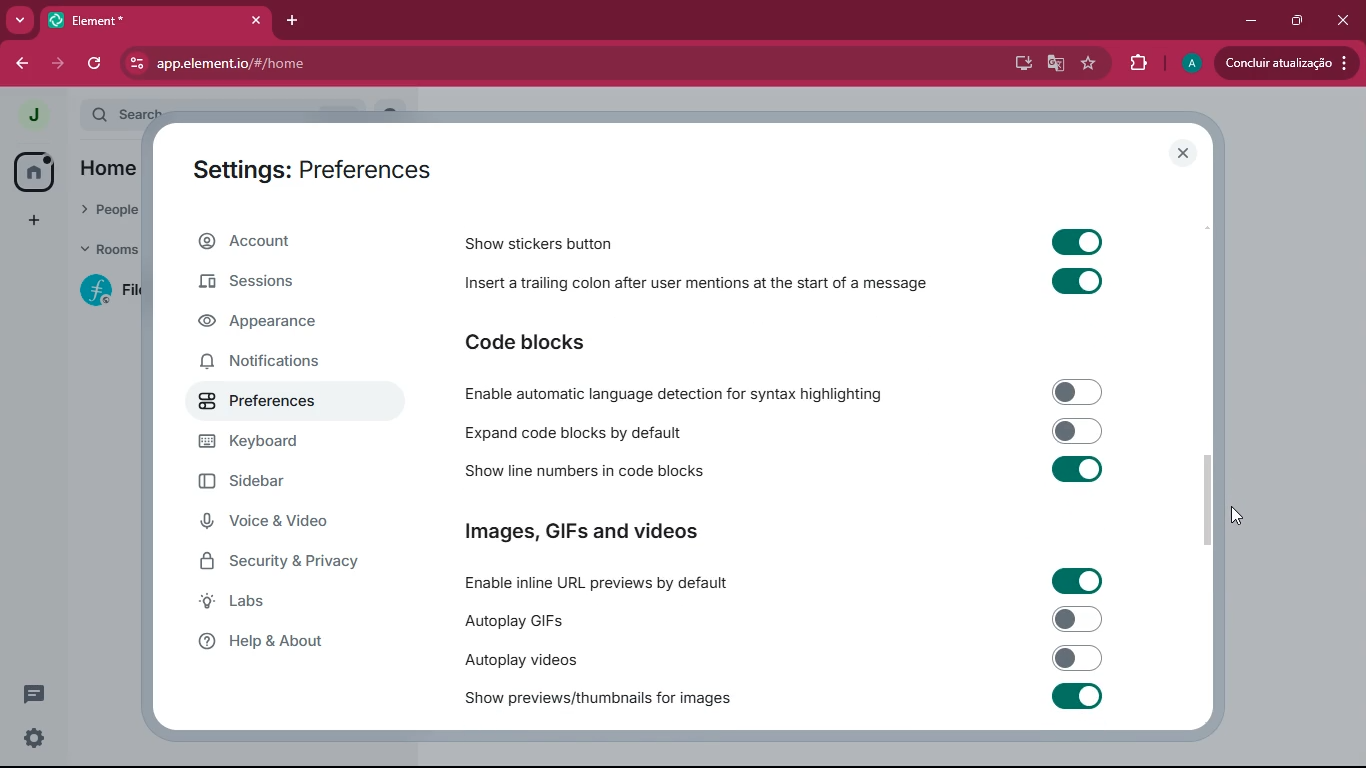 The width and height of the screenshot is (1366, 768). I want to click on , so click(1079, 430).